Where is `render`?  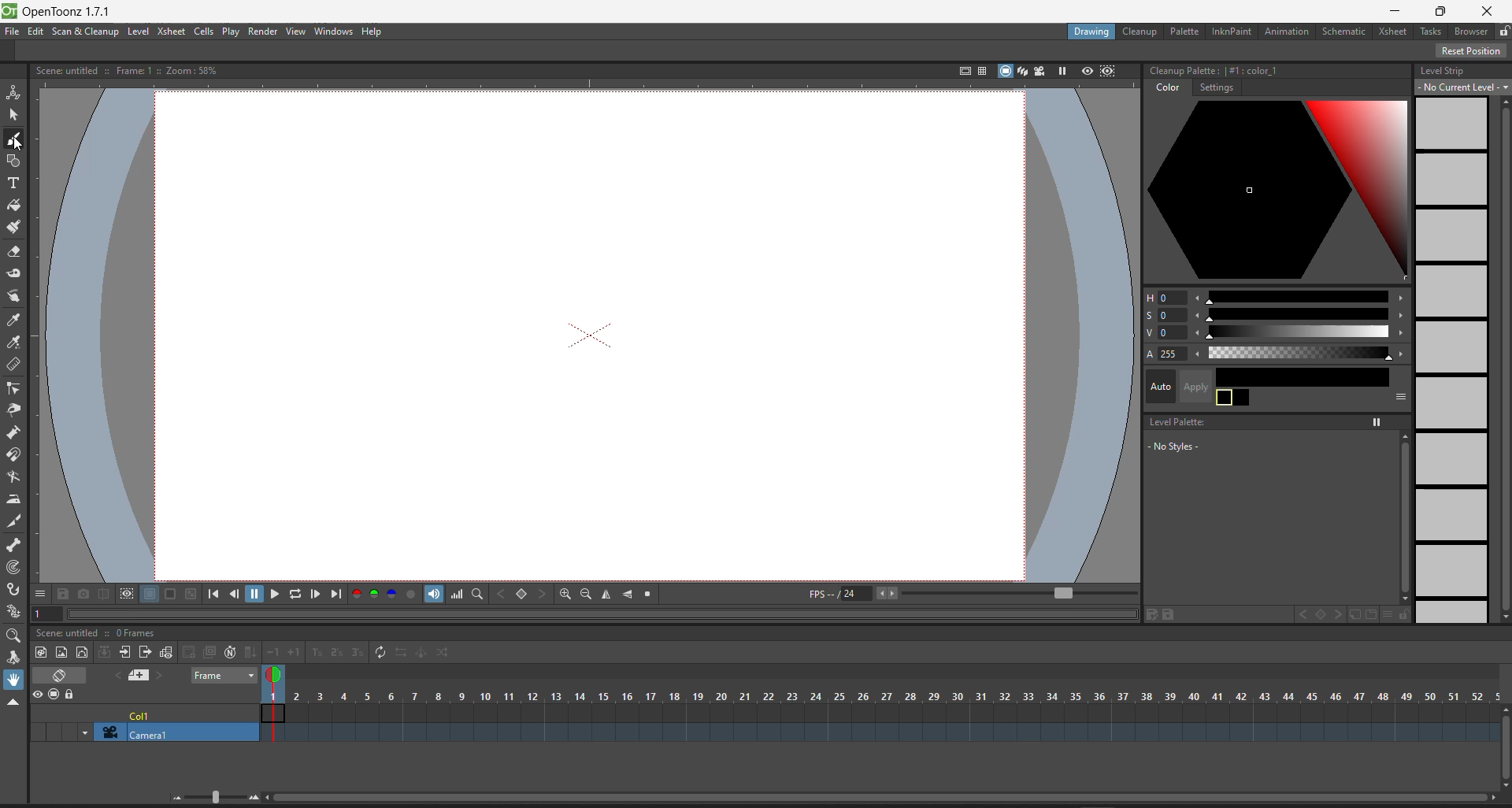
render is located at coordinates (262, 32).